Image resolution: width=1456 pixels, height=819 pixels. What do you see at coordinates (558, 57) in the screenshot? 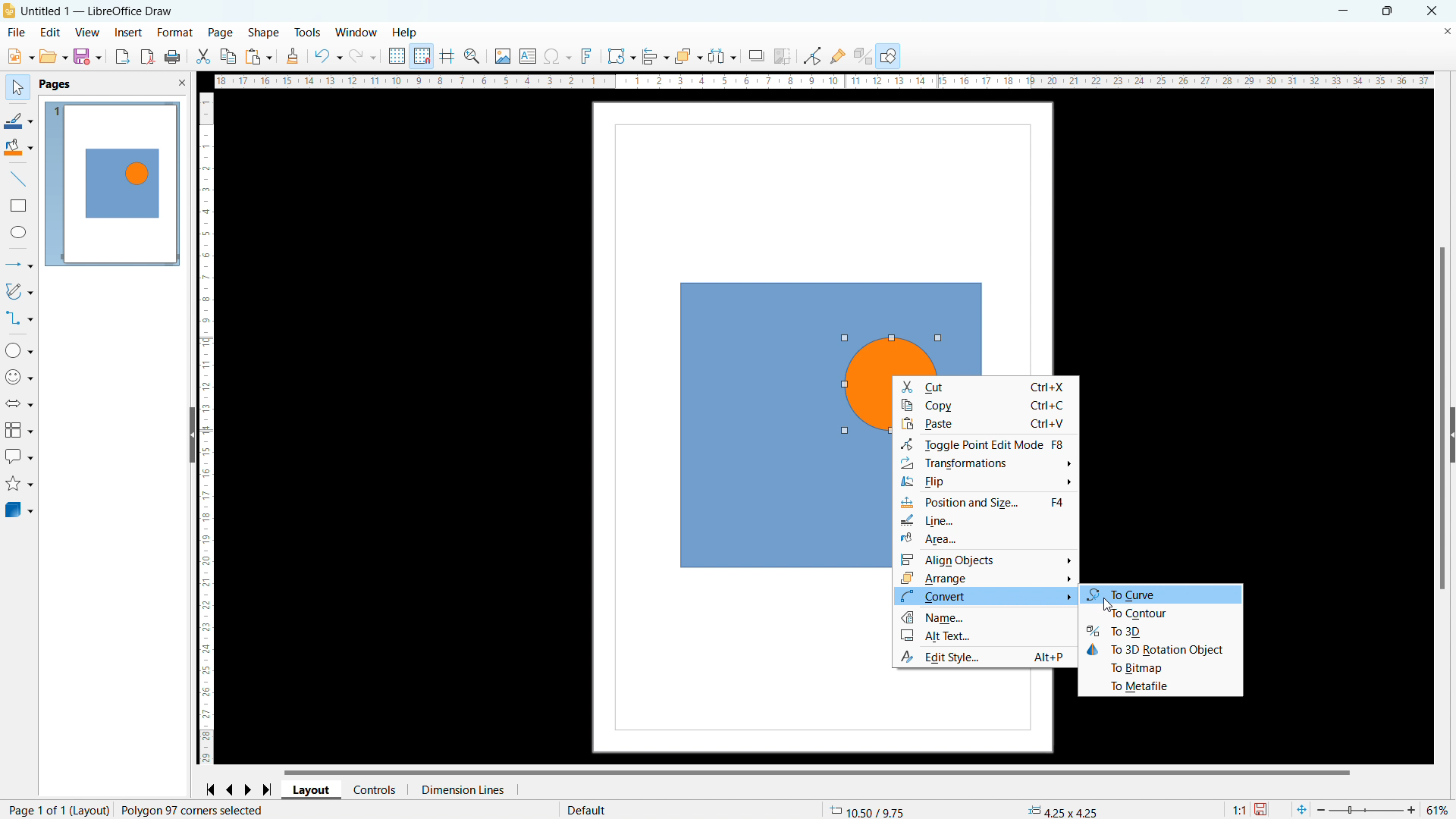
I see `insert special characters` at bounding box center [558, 57].